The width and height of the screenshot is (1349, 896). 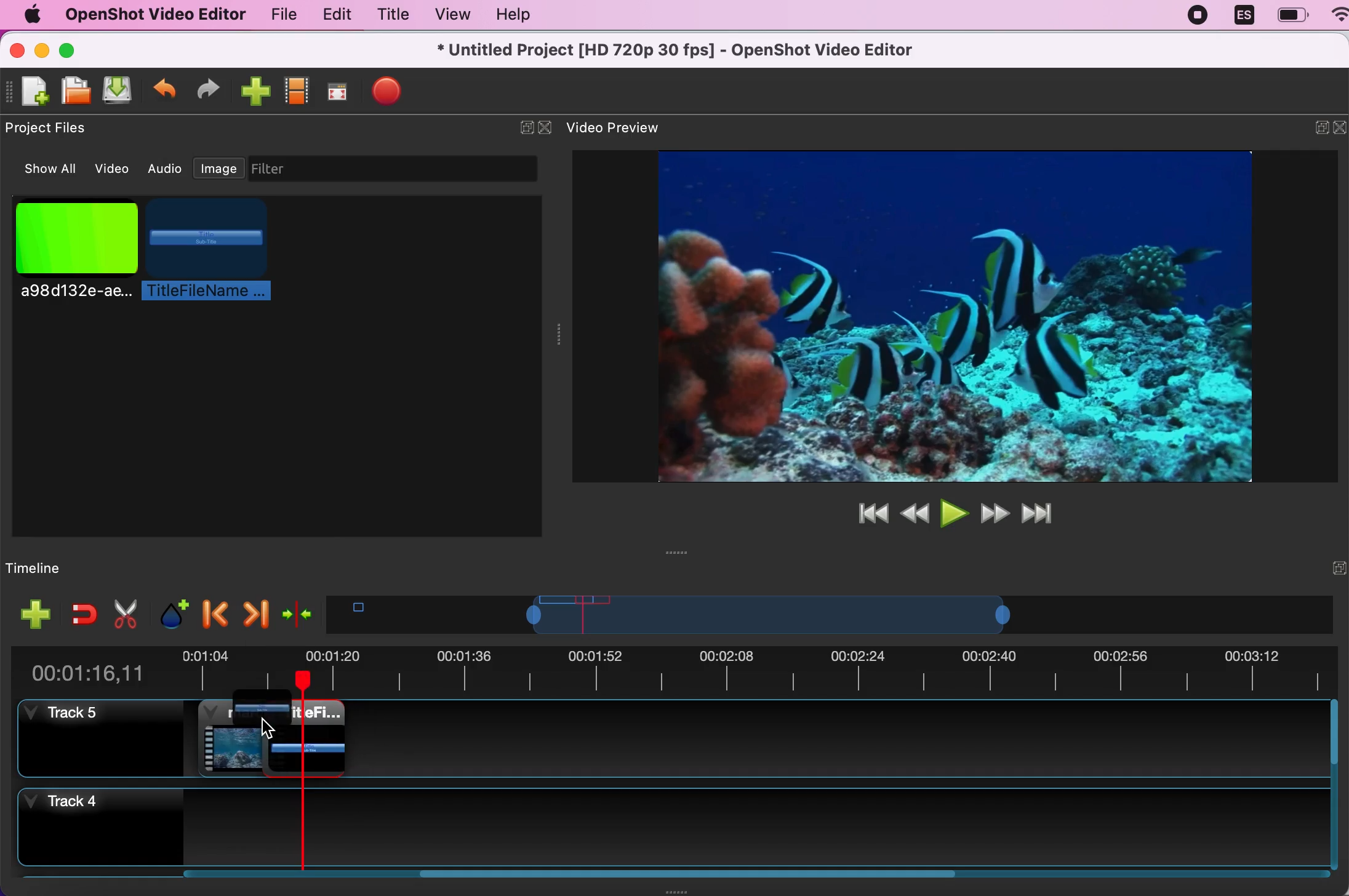 I want to click on file, so click(x=276, y=14).